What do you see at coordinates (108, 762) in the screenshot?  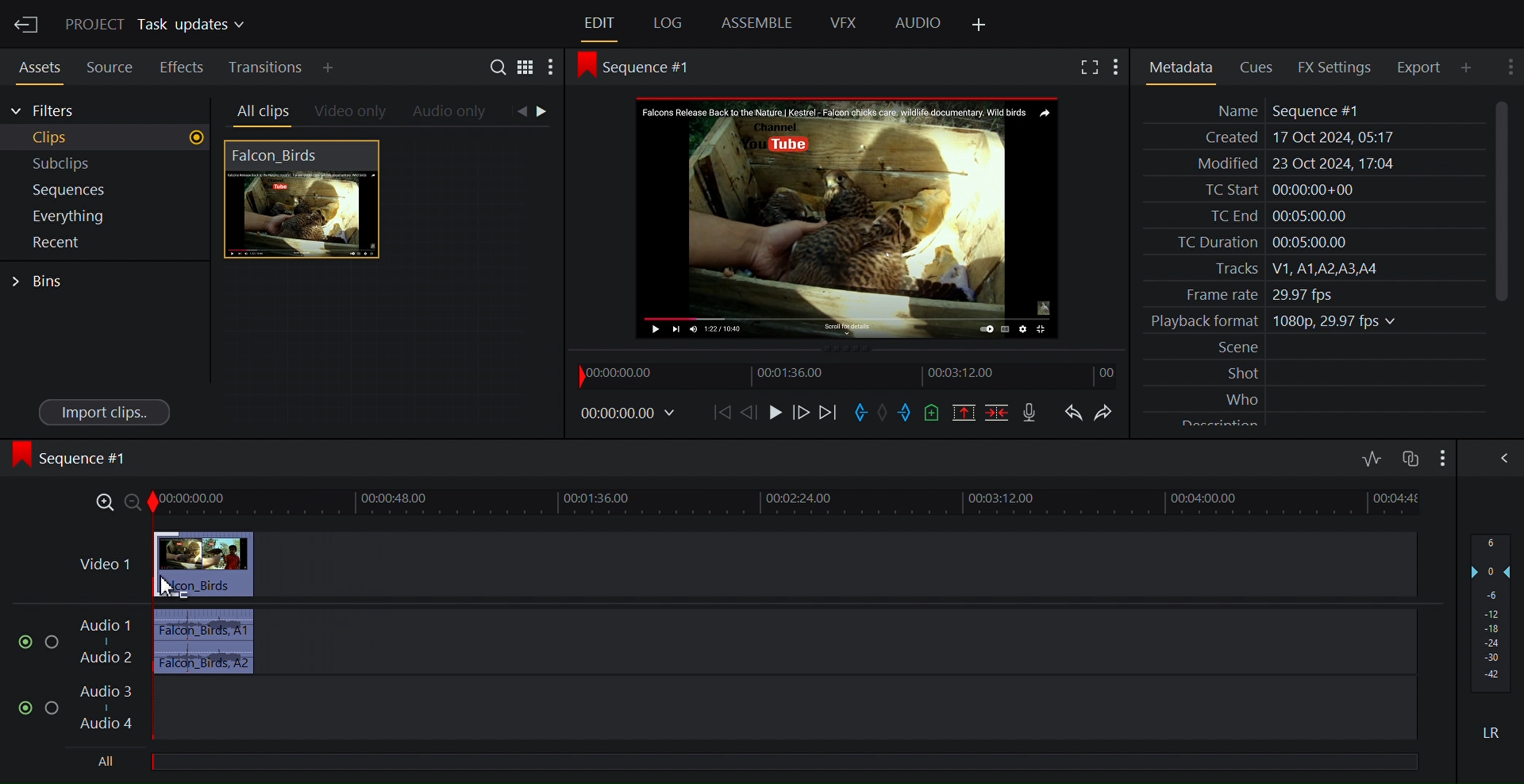 I see `All` at bounding box center [108, 762].